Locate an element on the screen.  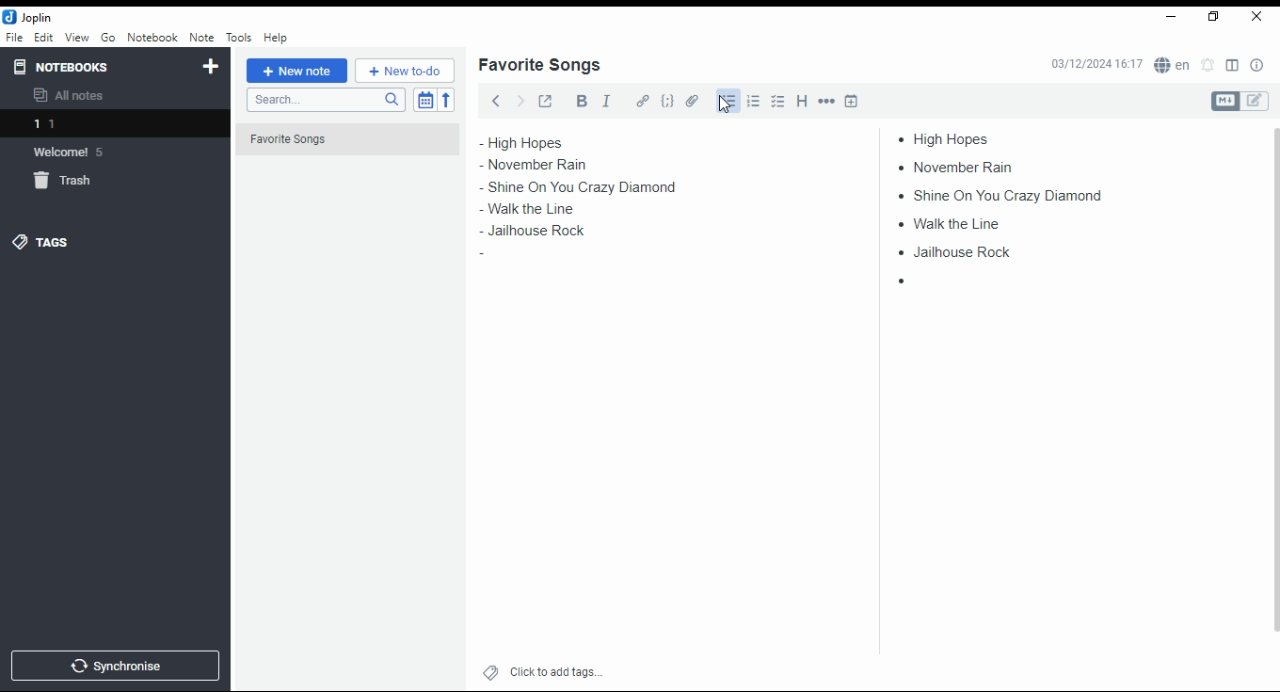
edit is located at coordinates (43, 36).